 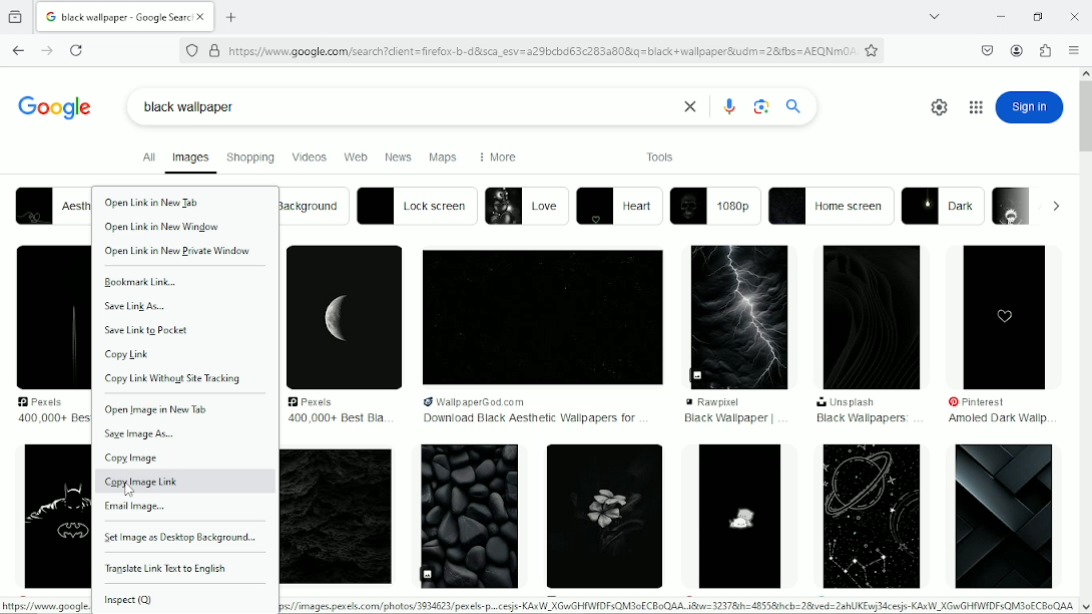 What do you see at coordinates (138, 306) in the screenshot?
I see `save link as` at bounding box center [138, 306].